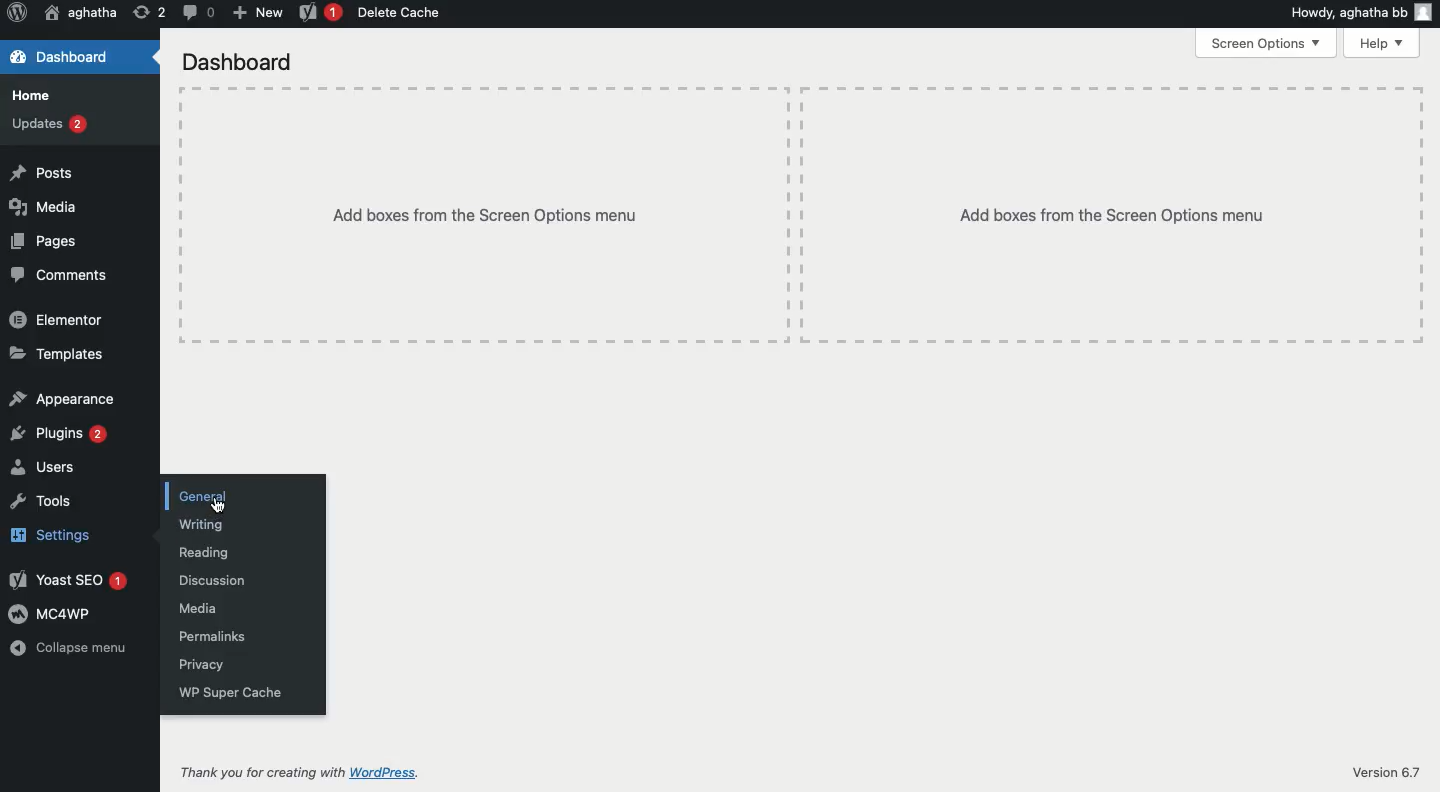 Image resolution: width=1440 pixels, height=792 pixels. What do you see at coordinates (57, 56) in the screenshot?
I see `Dashboard` at bounding box center [57, 56].